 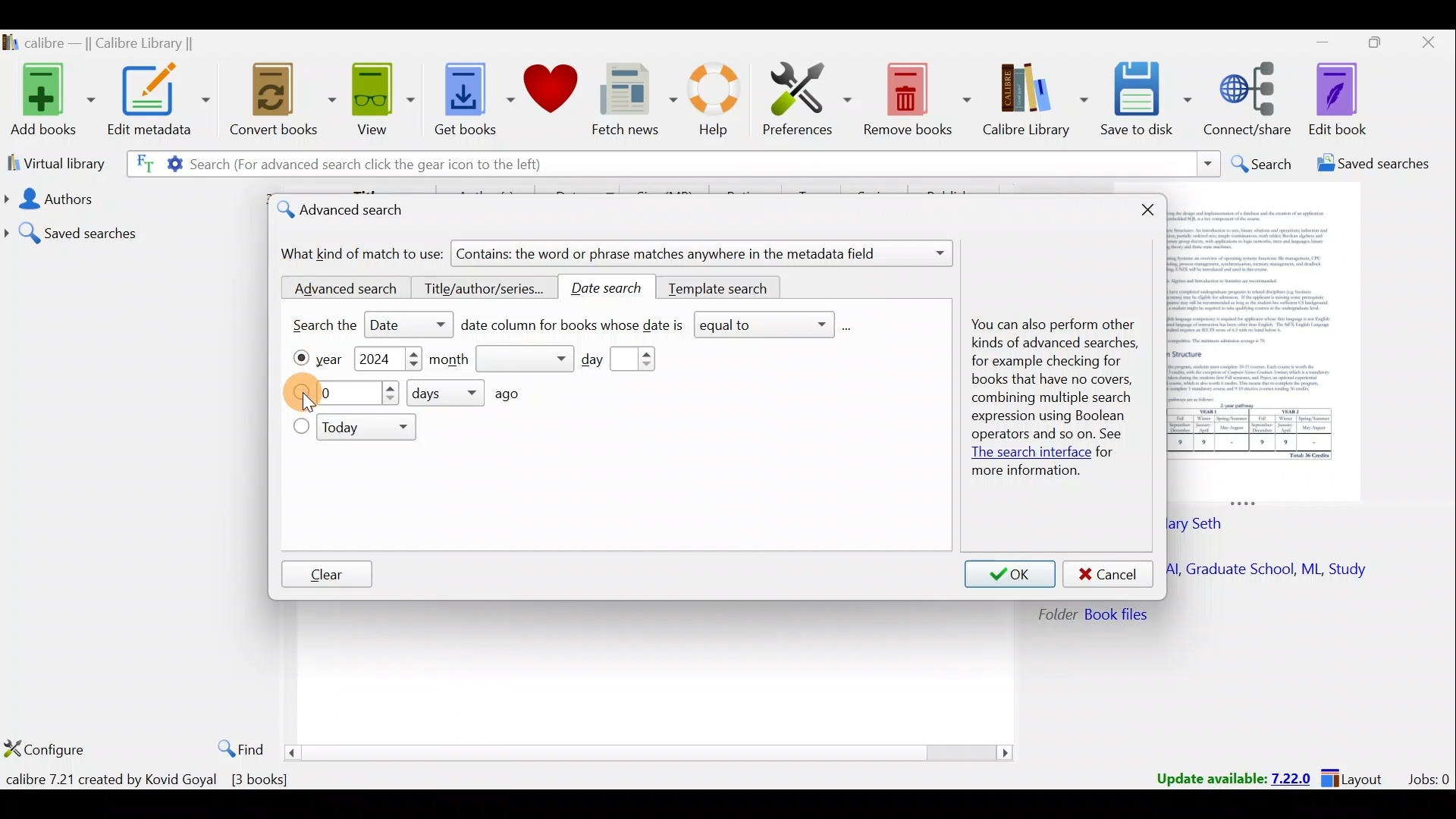 What do you see at coordinates (613, 288) in the screenshot?
I see `Date search` at bounding box center [613, 288].